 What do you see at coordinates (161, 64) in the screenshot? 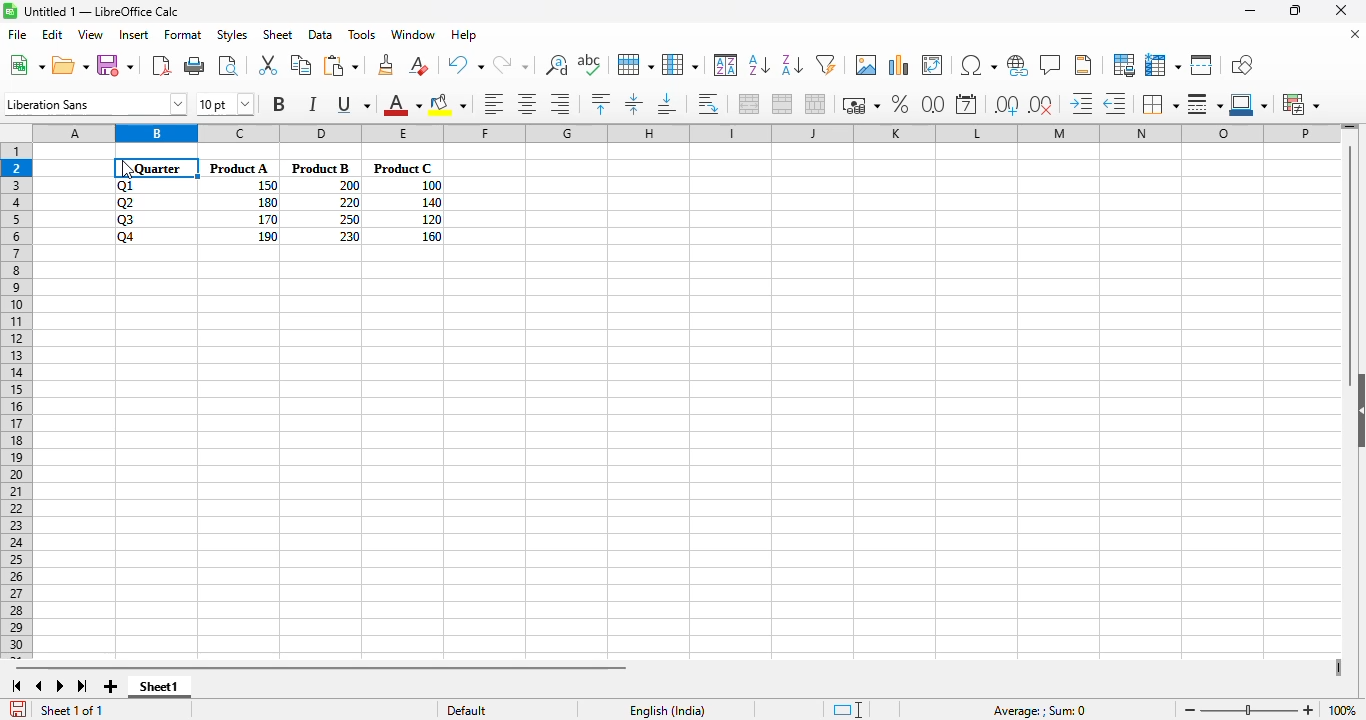
I see `export directly as PDF` at bounding box center [161, 64].